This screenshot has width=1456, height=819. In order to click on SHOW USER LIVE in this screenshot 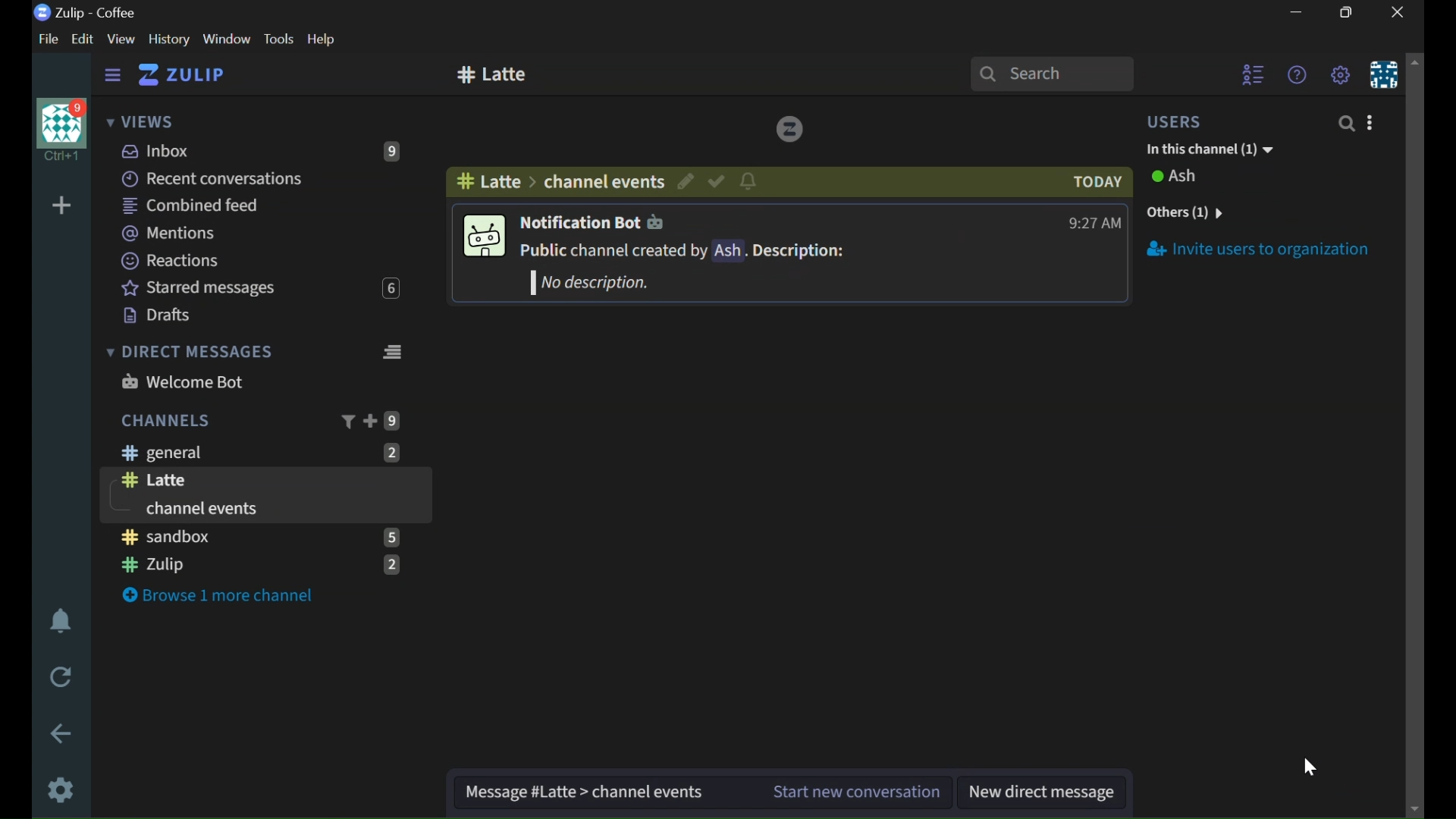, I will do `click(1254, 71)`.